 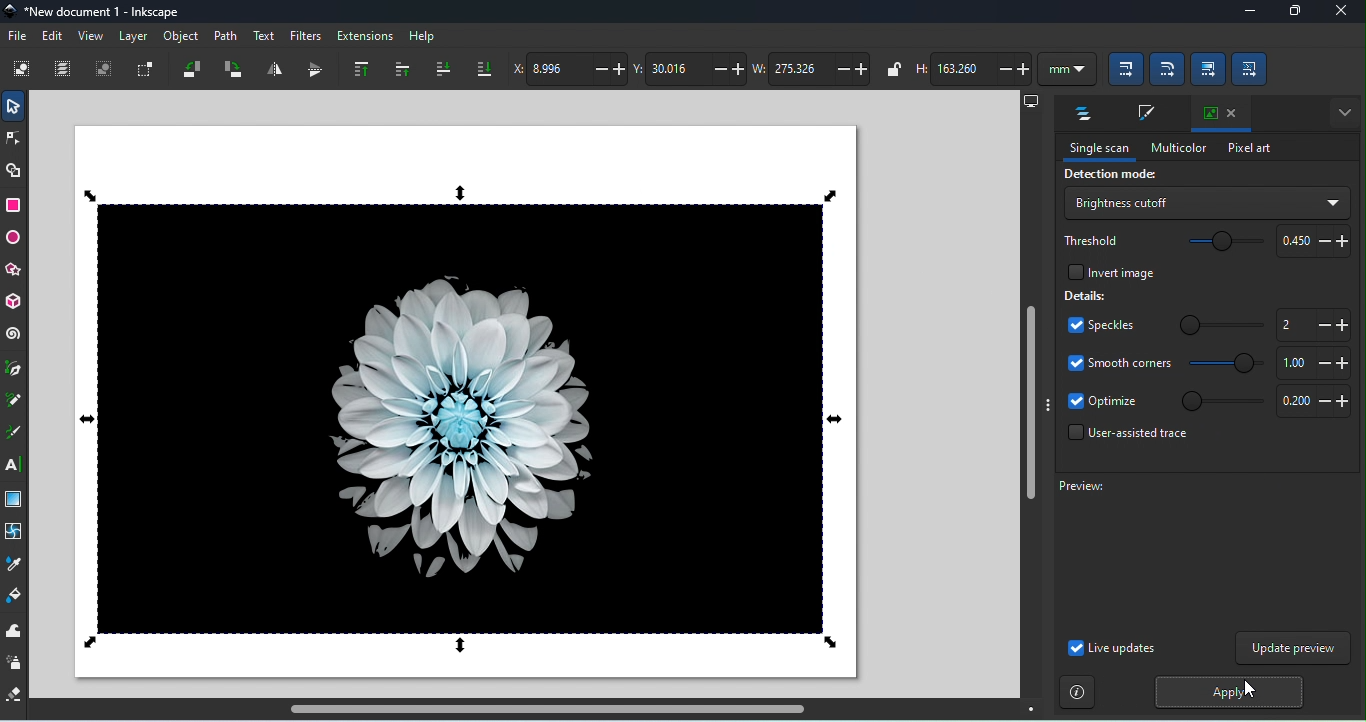 What do you see at coordinates (1244, 13) in the screenshot?
I see `Minimize` at bounding box center [1244, 13].